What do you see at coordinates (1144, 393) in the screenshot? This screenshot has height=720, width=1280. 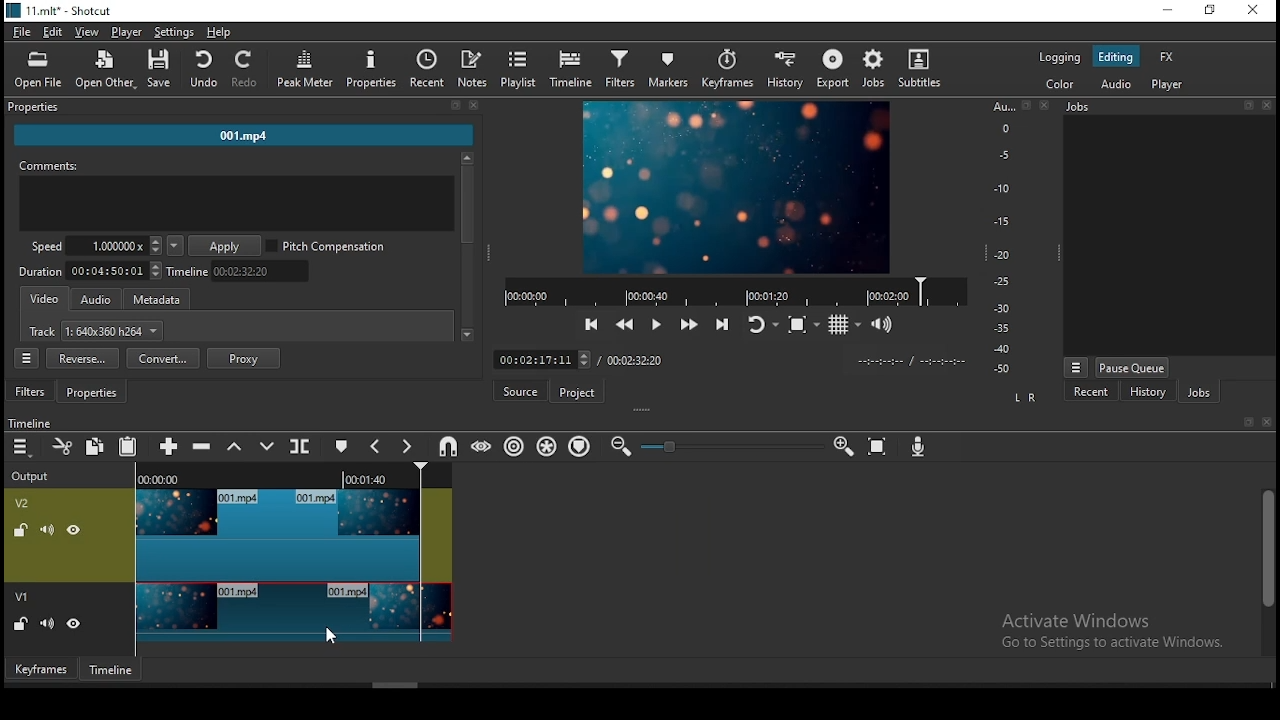 I see `history` at bounding box center [1144, 393].